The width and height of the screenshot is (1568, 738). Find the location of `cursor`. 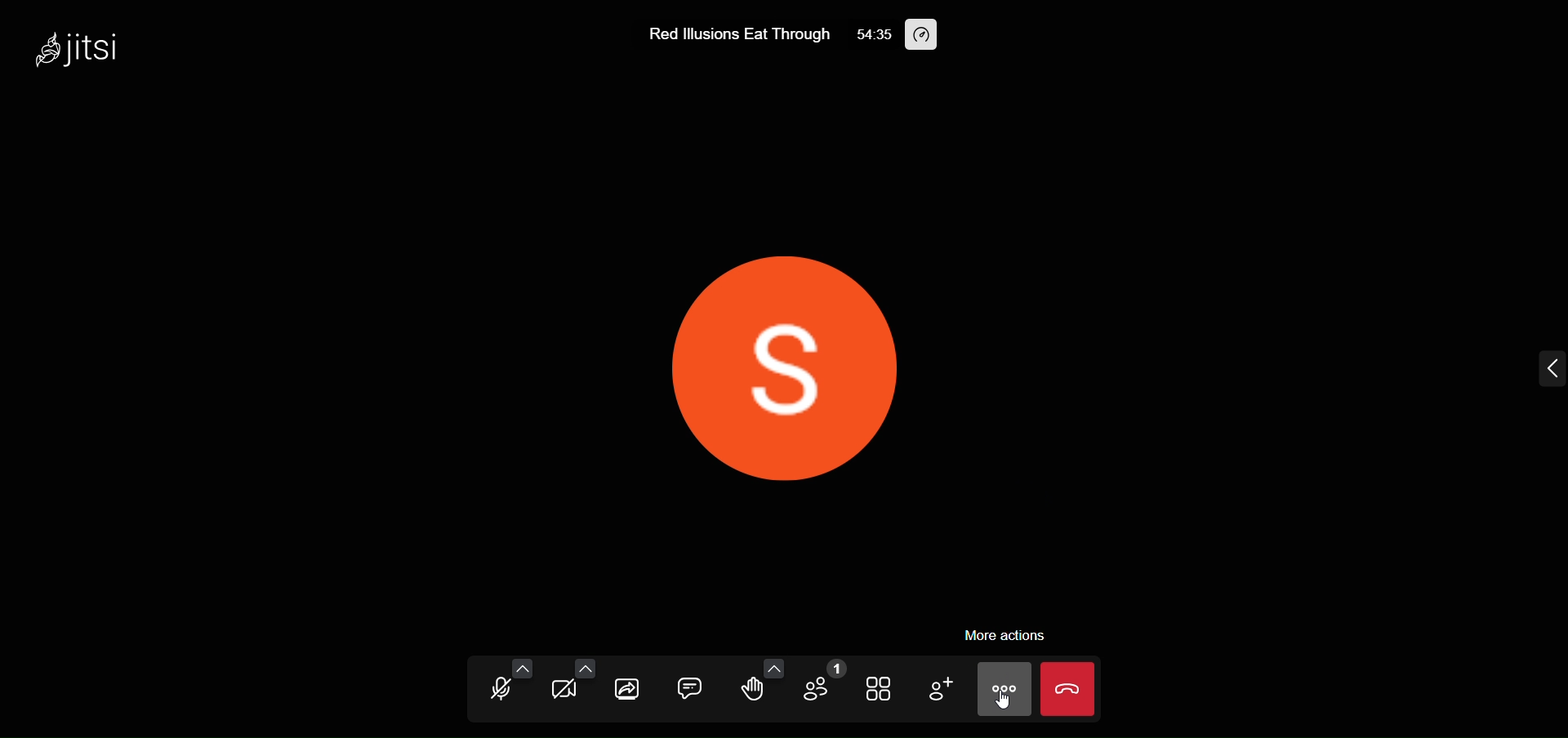

cursor is located at coordinates (1012, 704).